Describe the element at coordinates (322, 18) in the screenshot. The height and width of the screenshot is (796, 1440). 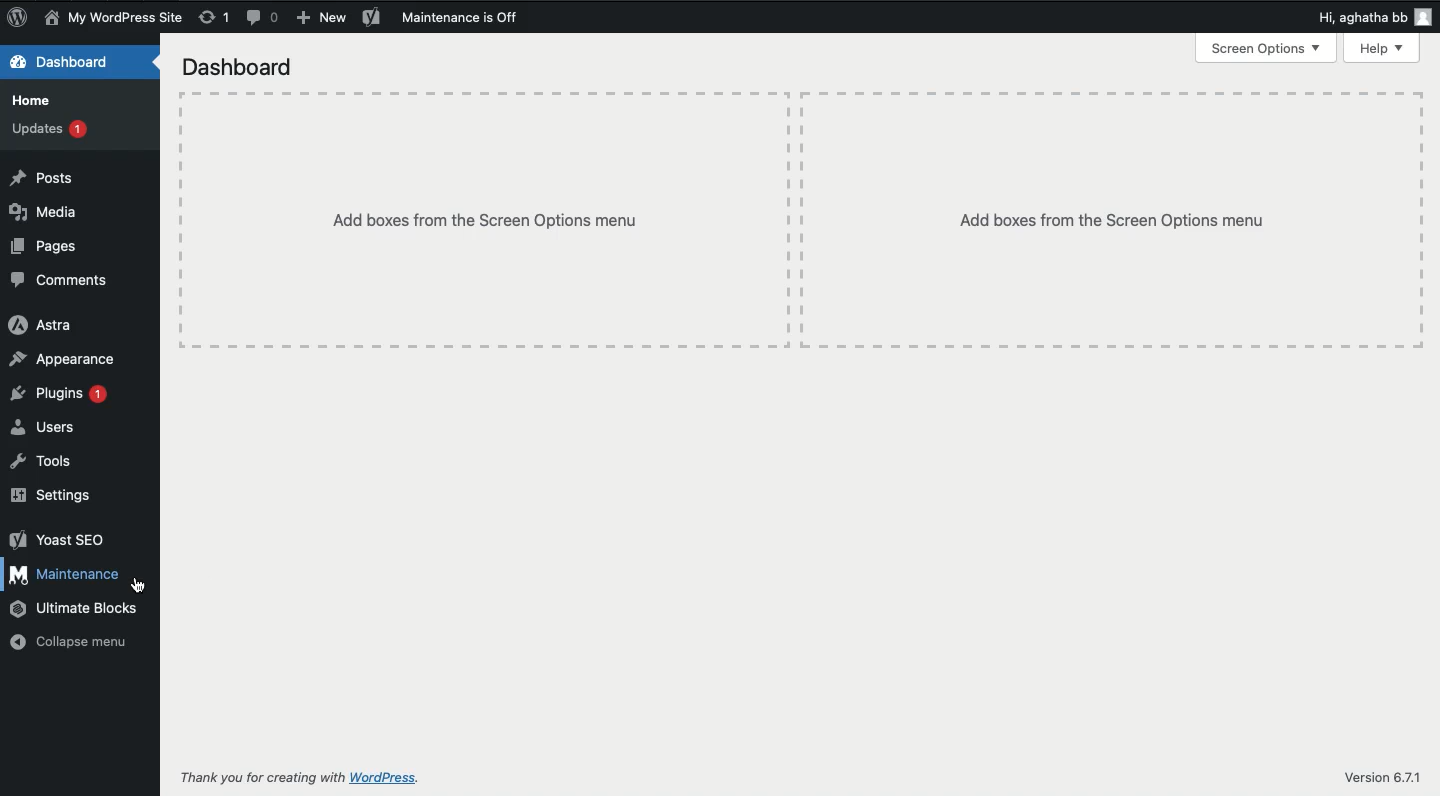
I see `New` at that location.